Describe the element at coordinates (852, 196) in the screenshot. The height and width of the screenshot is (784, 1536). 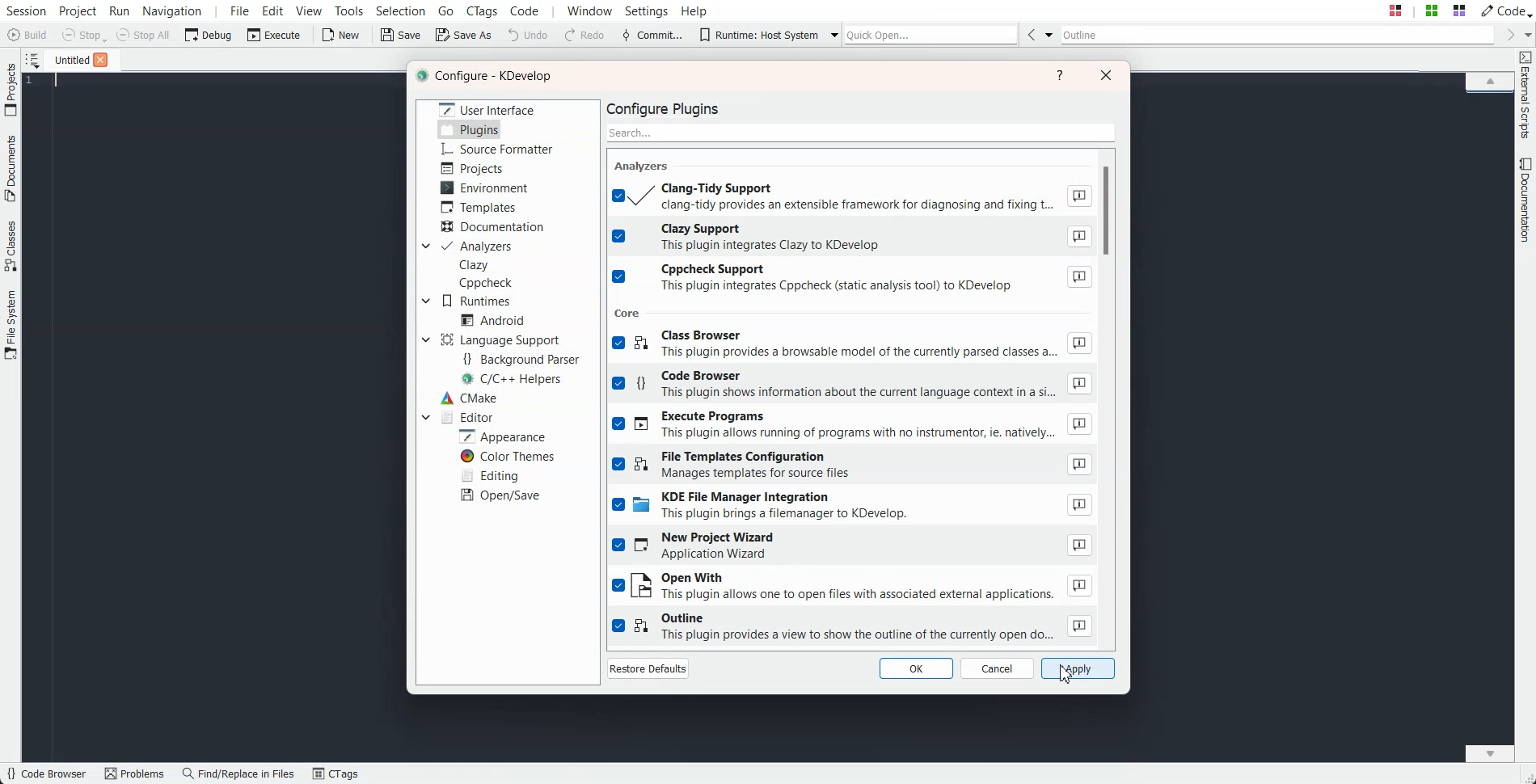
I see `Enable Clang-Tidy Support` at that location.